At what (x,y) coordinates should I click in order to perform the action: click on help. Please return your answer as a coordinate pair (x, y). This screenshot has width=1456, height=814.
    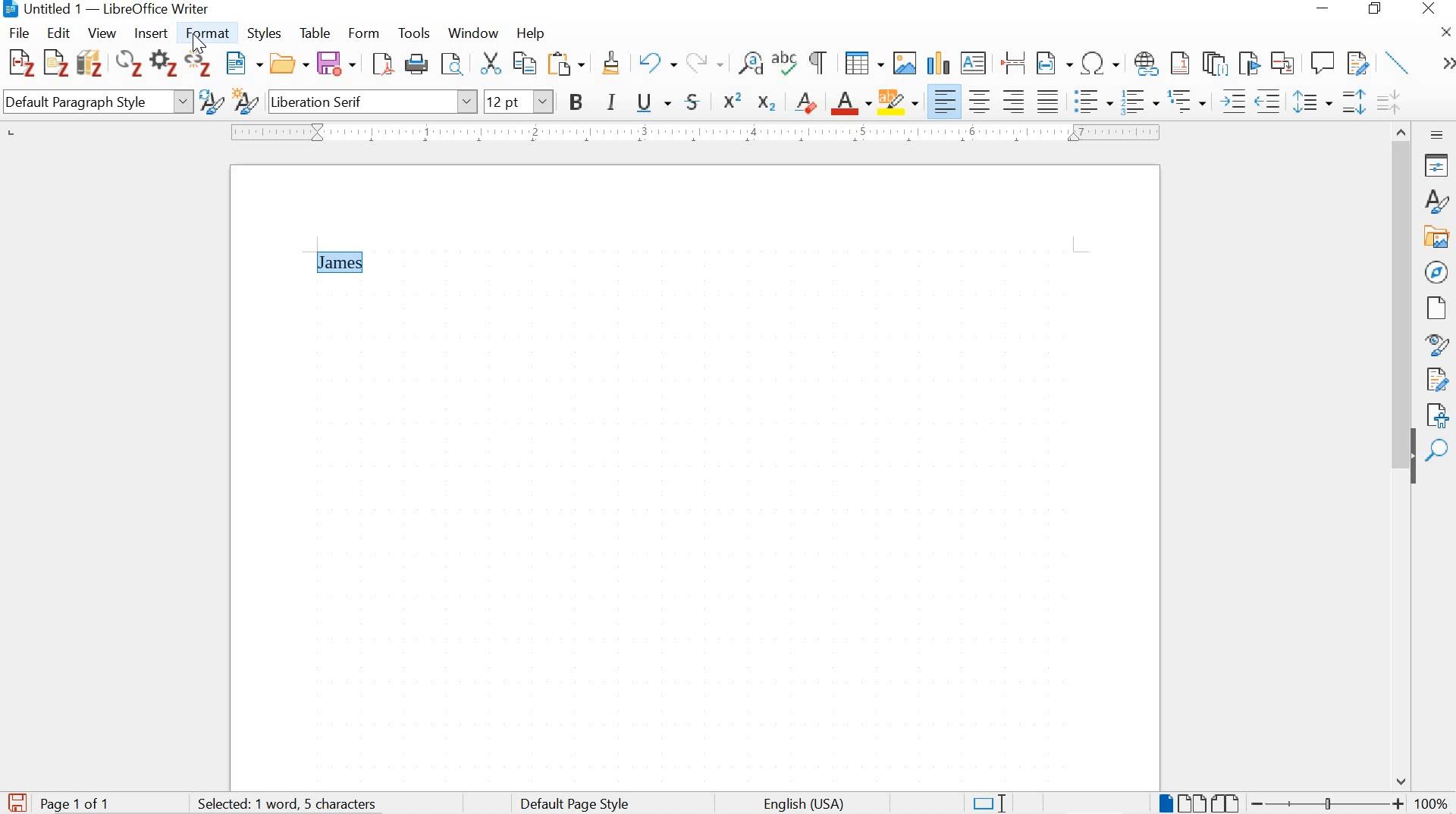
    Looking at the image, I should click on (529, 33).